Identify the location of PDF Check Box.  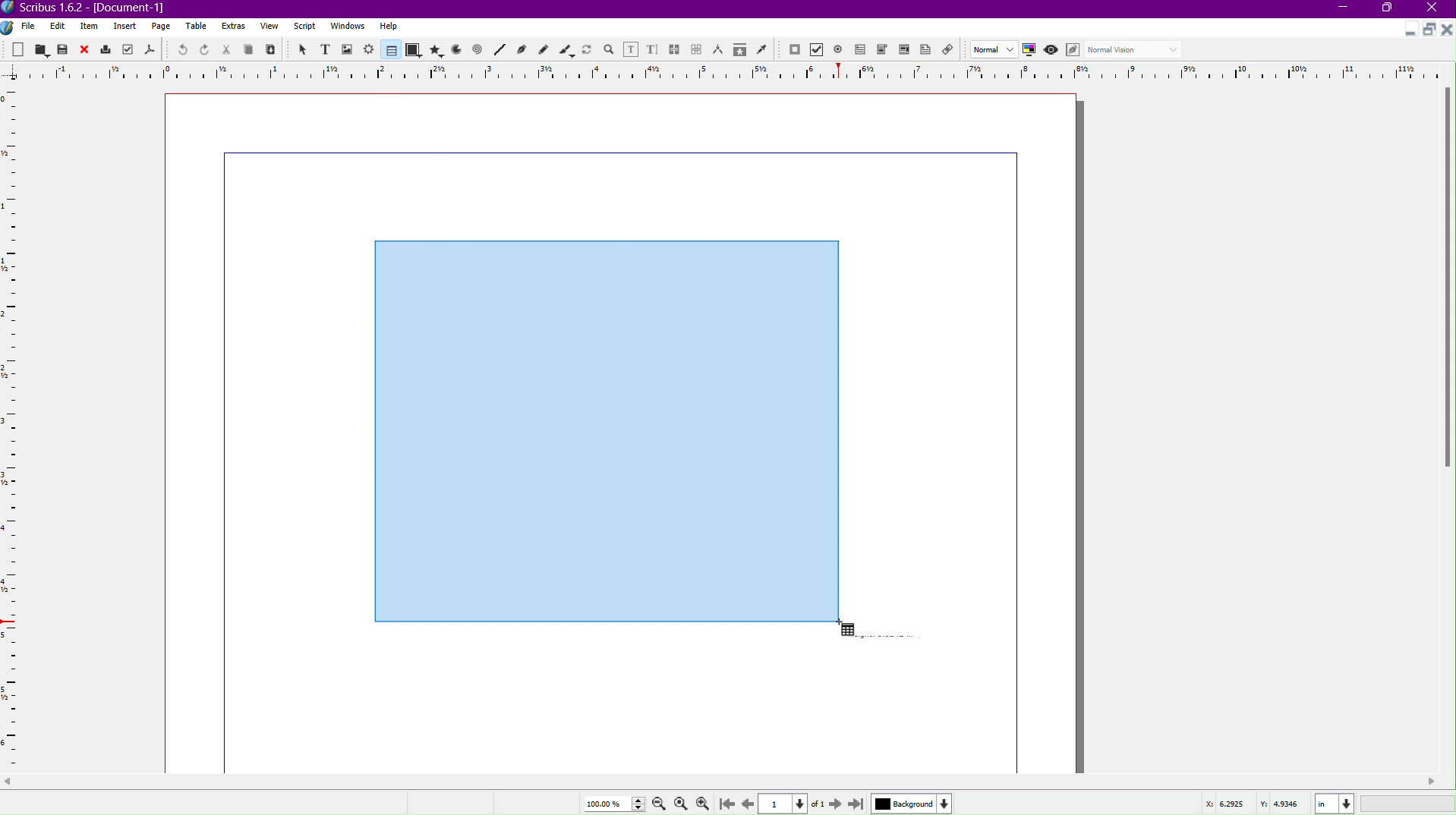
(819, 51).